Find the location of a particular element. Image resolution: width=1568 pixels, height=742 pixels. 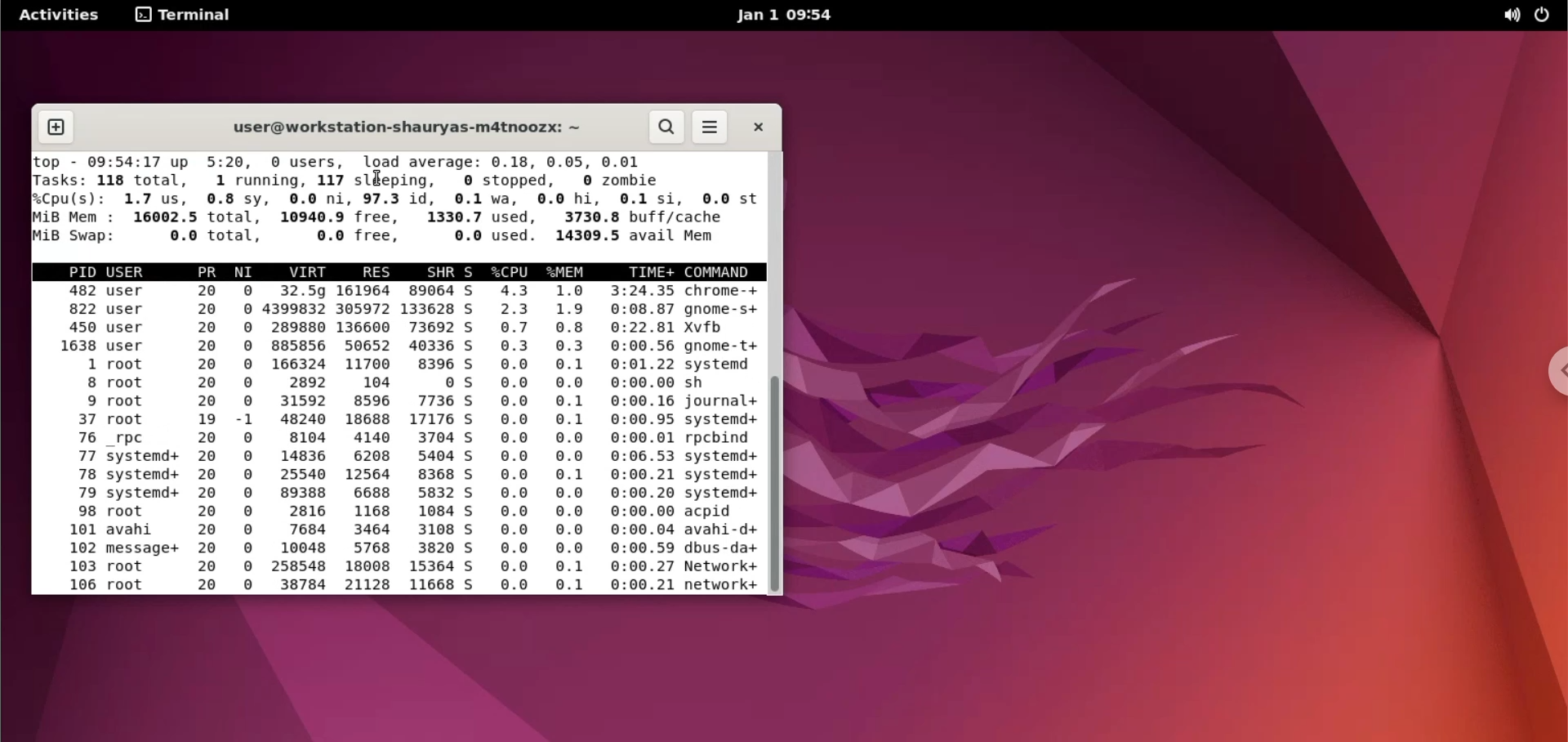

command  is located at coordinates (723, 440).